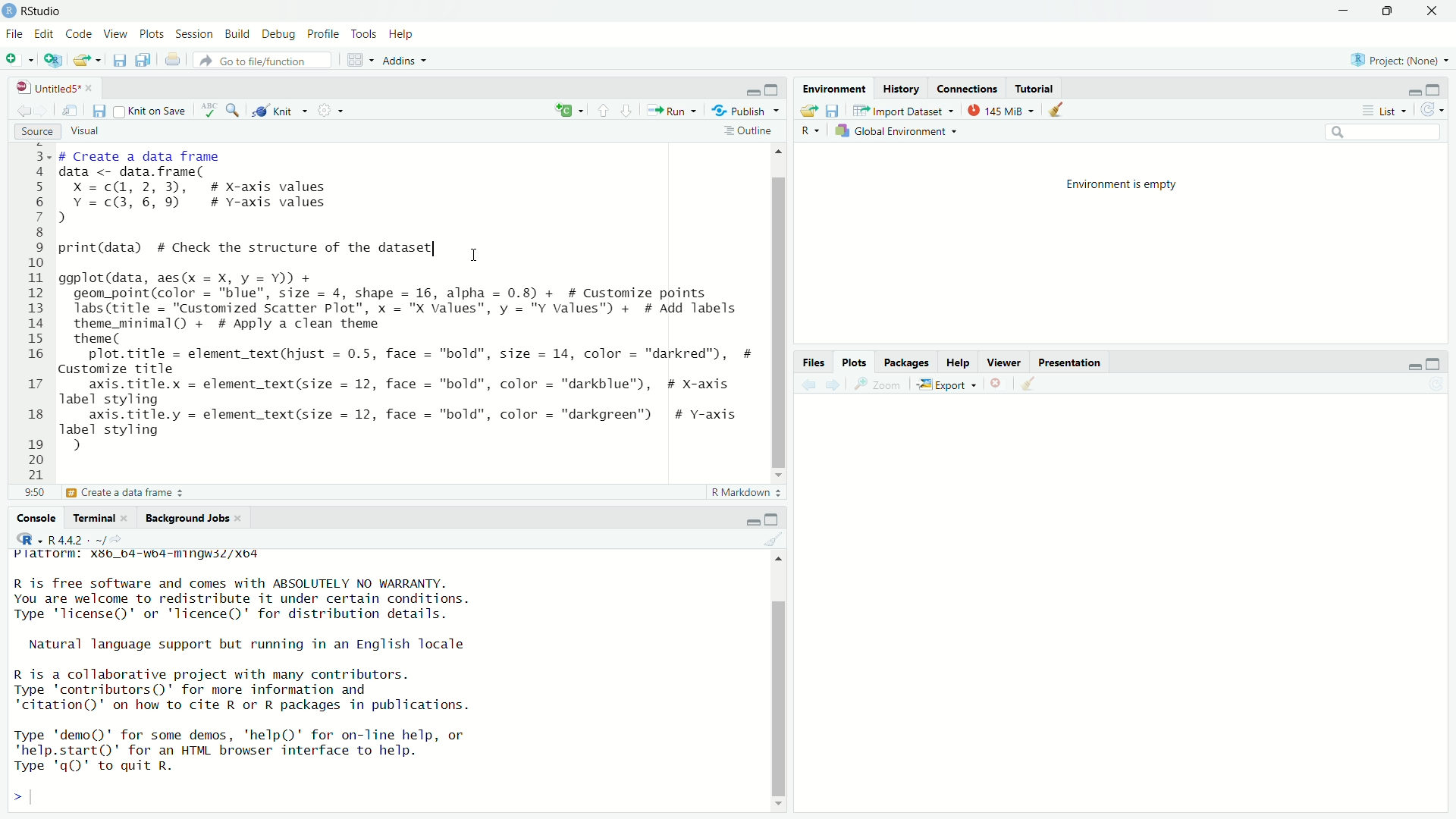 This screenshot has width=1456, height=819. What do you see at coordinates (45, 36) in the screenshot?
I see `Edit` at bounding box center [45, 36].